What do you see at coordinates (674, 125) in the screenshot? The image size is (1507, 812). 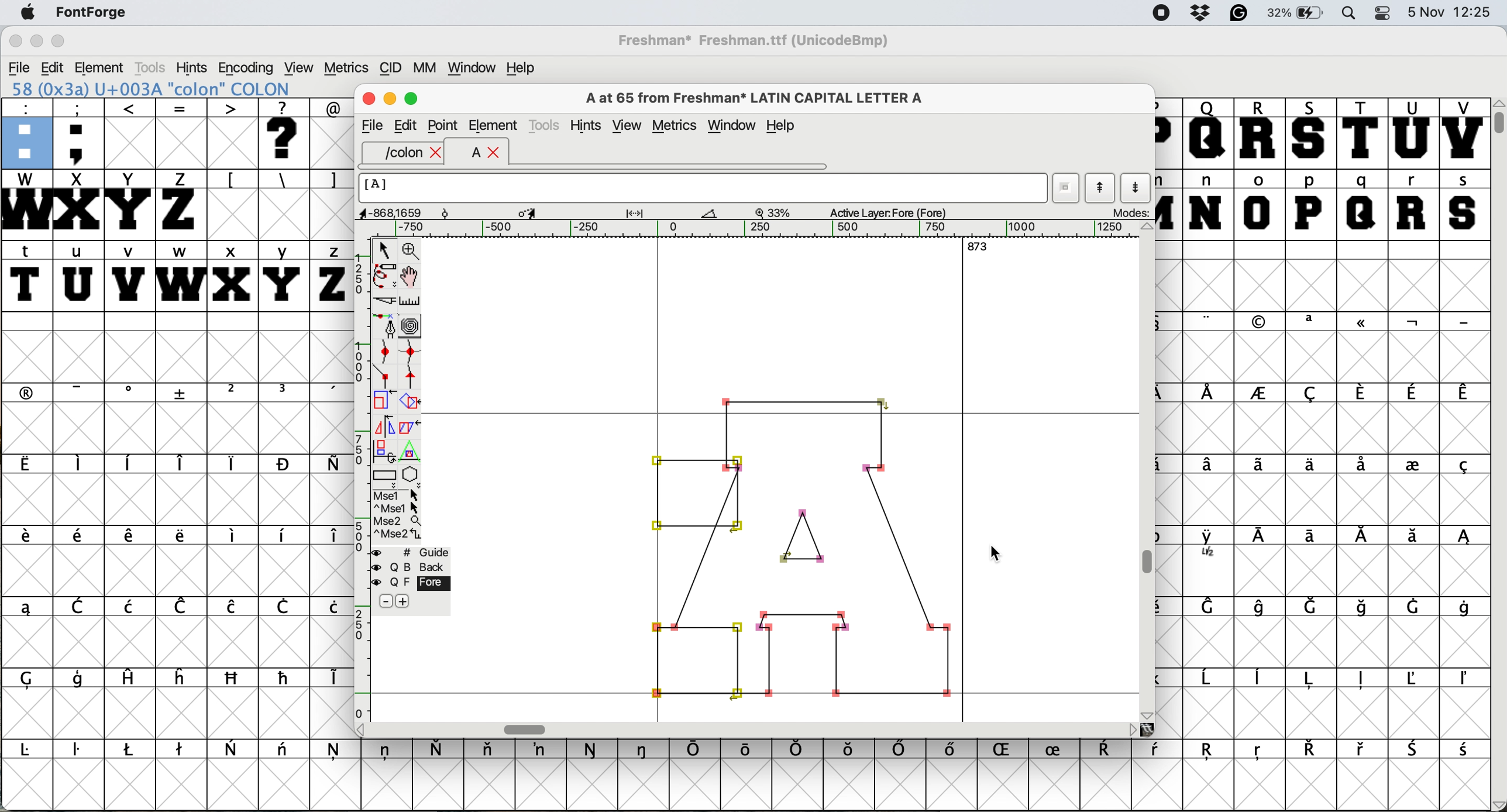 I see `metrics` at bounding box center [674, 125].